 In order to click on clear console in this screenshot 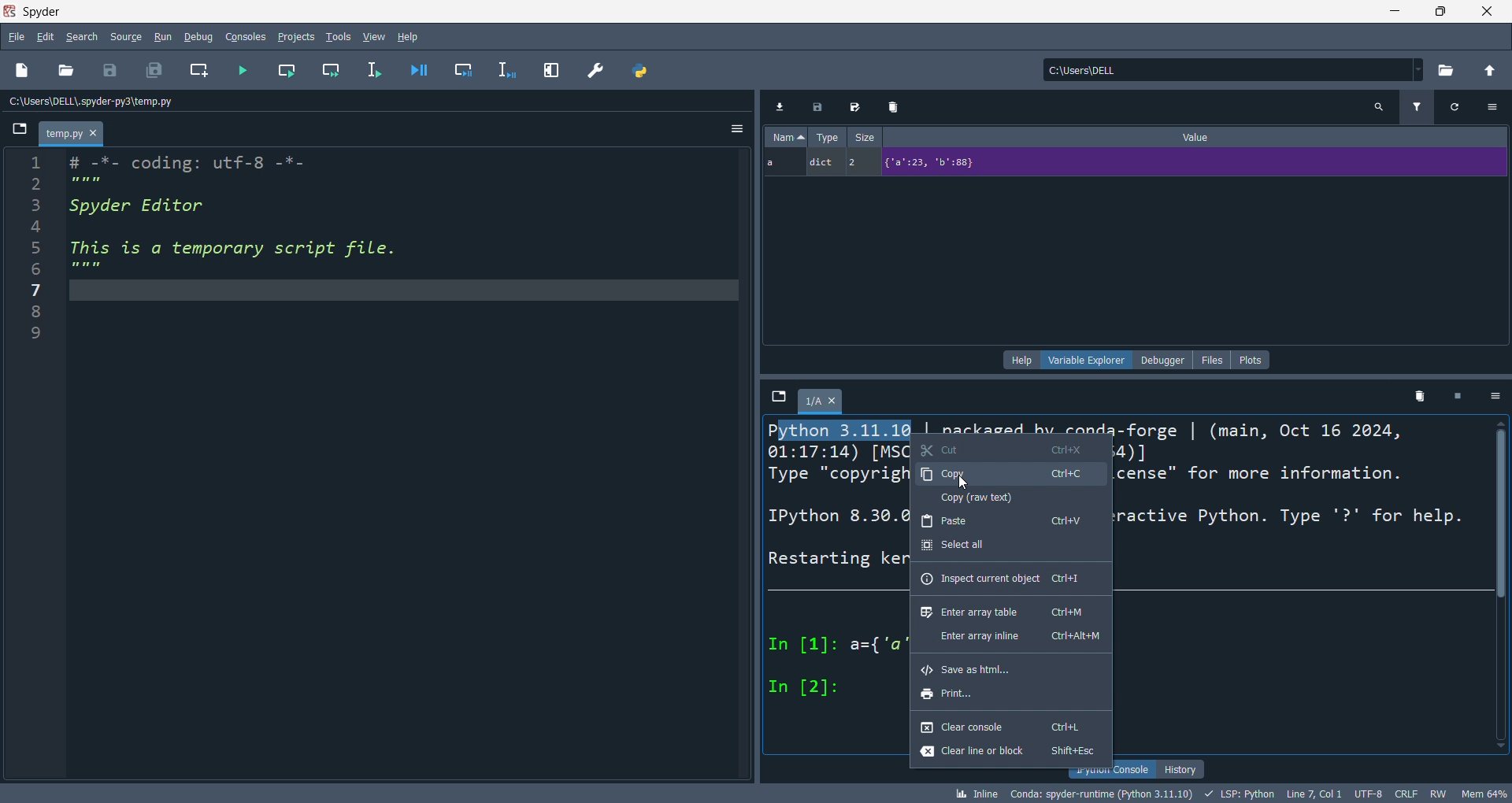, I will do `click(1007, 728)`.